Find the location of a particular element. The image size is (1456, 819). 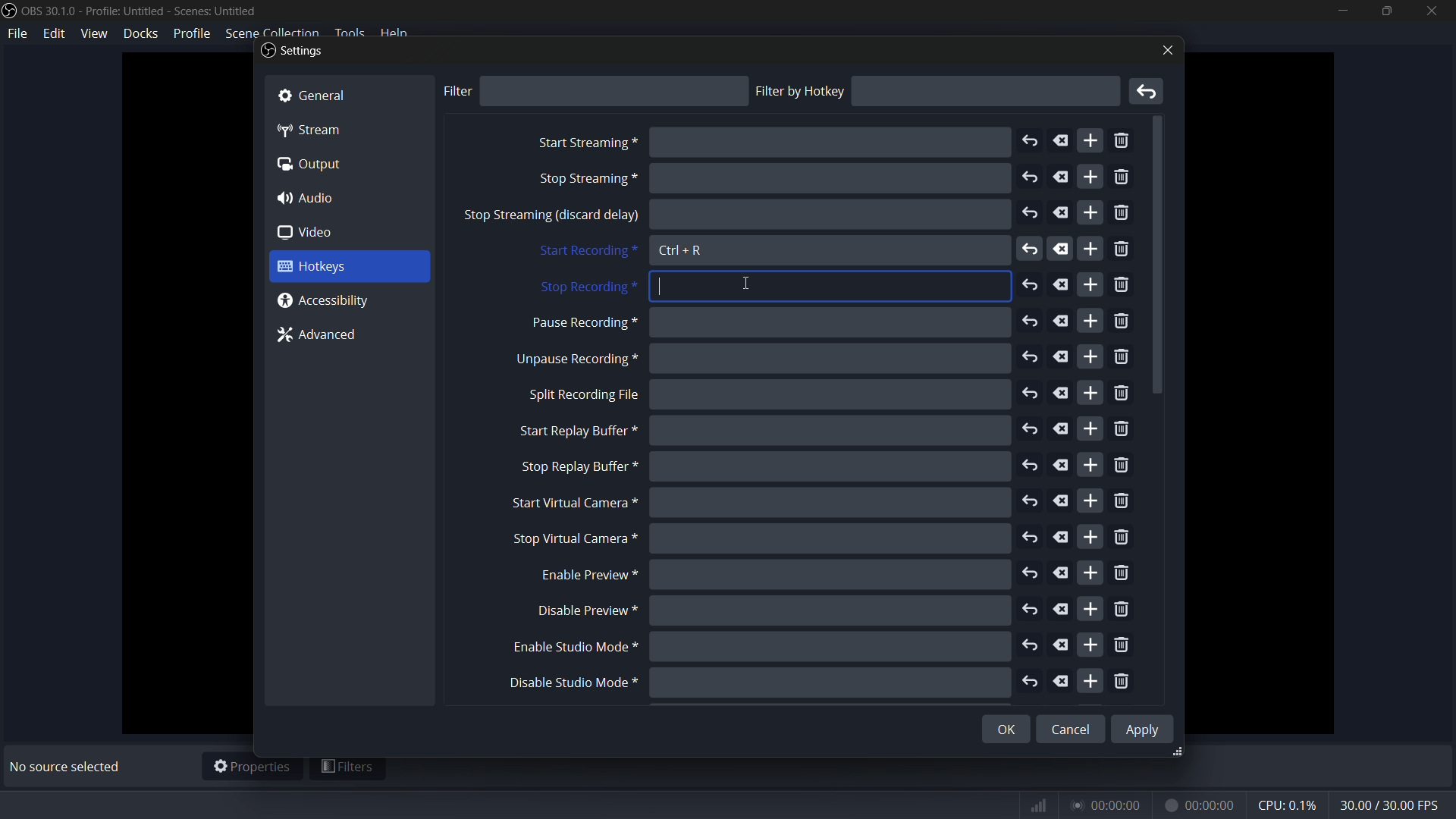

4) Audio is located at coordinates (315, 198).